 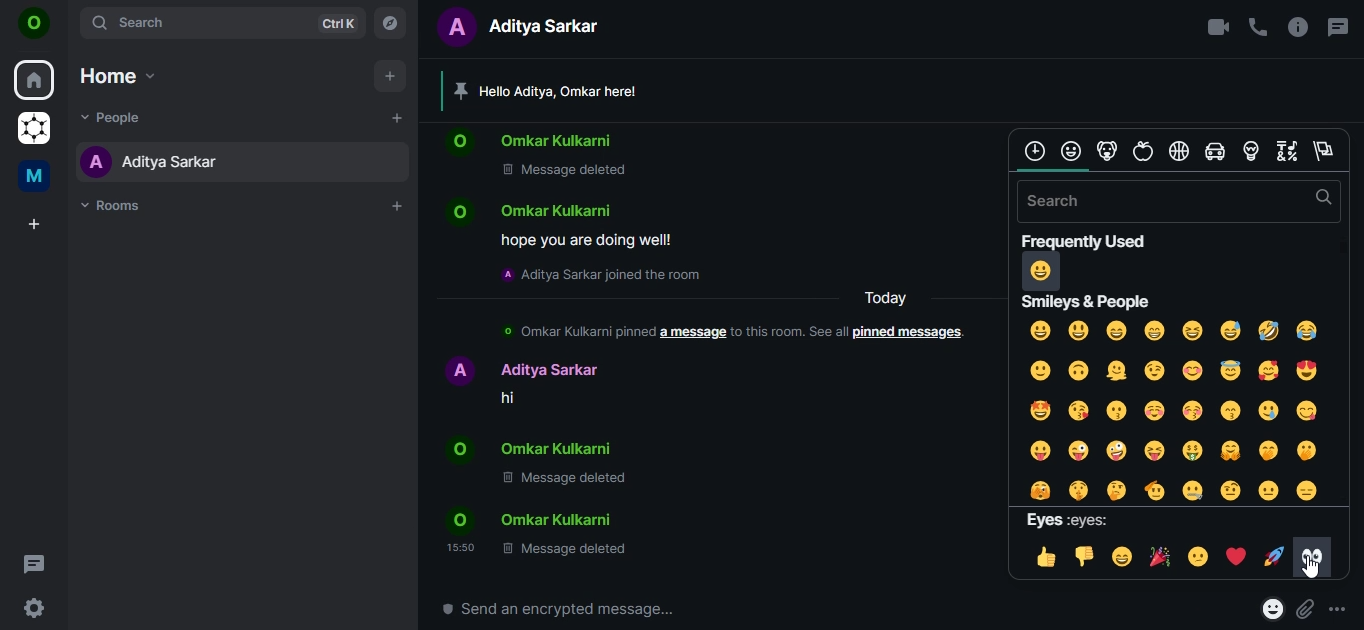 What do you see at coordinates (1197, 555) in the screenshot?
I see `confused face` at bounding box center [1197, 555].